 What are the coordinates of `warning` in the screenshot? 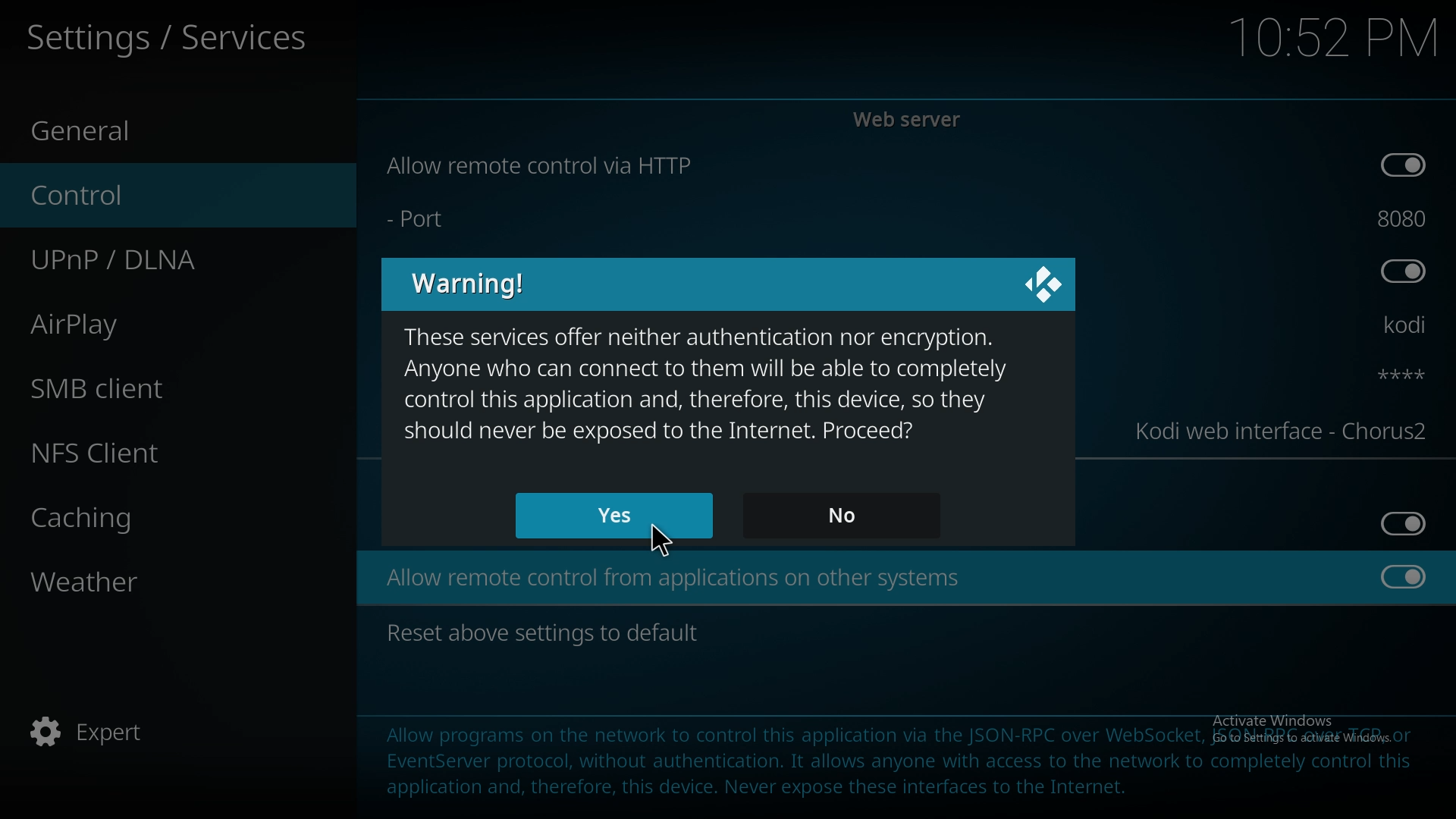 It's located at (708, 381).